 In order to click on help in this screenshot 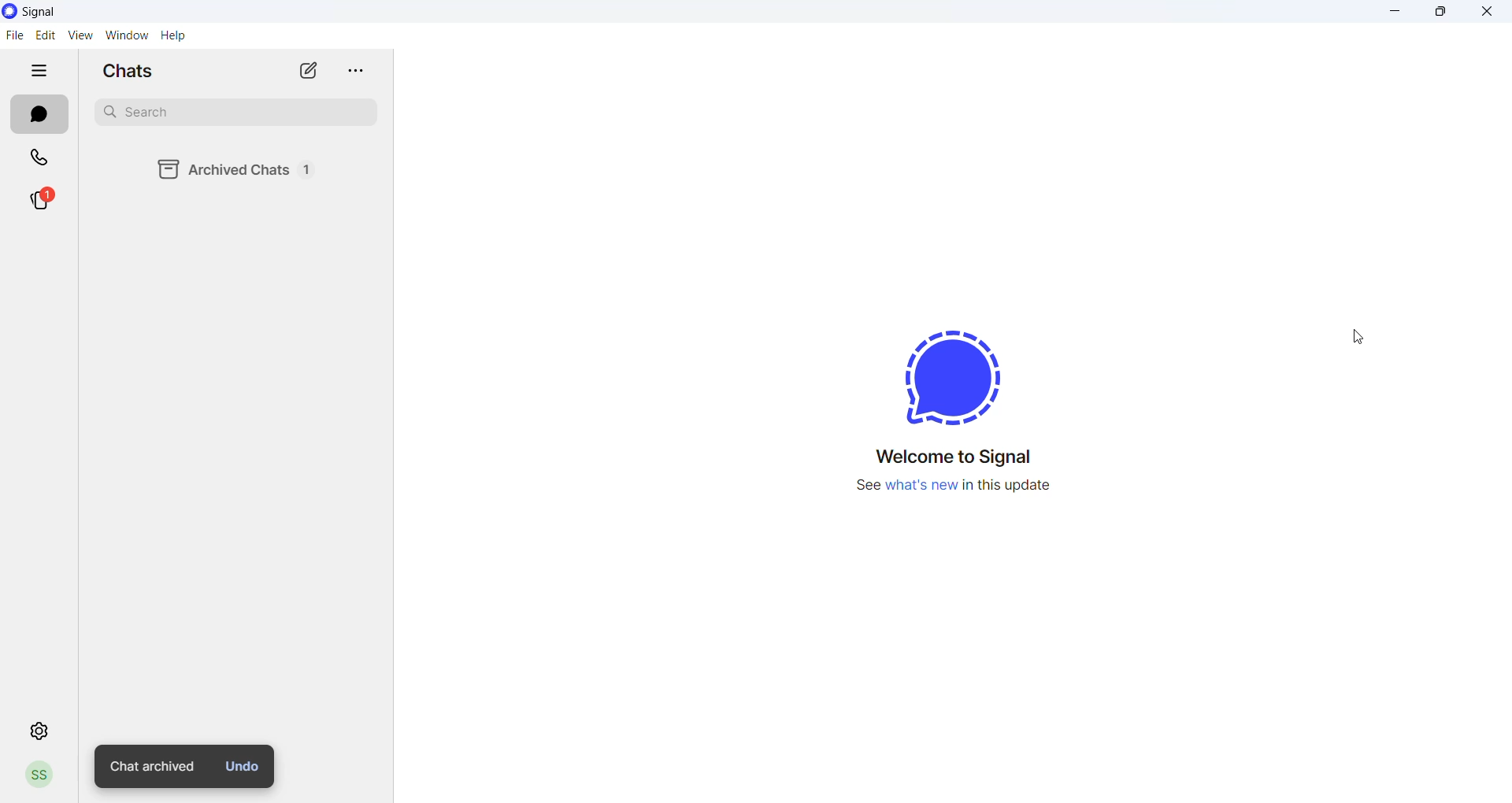, I will do `click(172, 36)`.